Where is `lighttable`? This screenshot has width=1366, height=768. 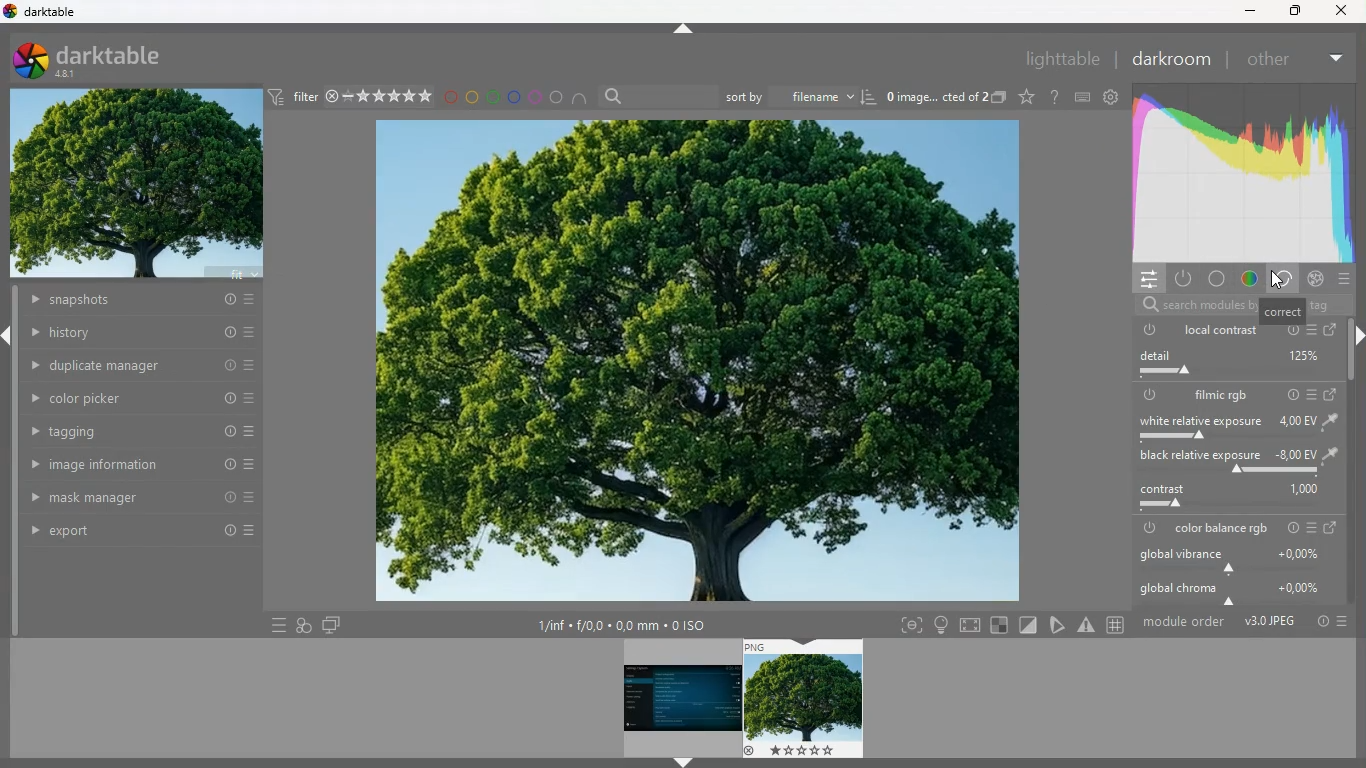
lighttable is located at coordinates (1062, 61).